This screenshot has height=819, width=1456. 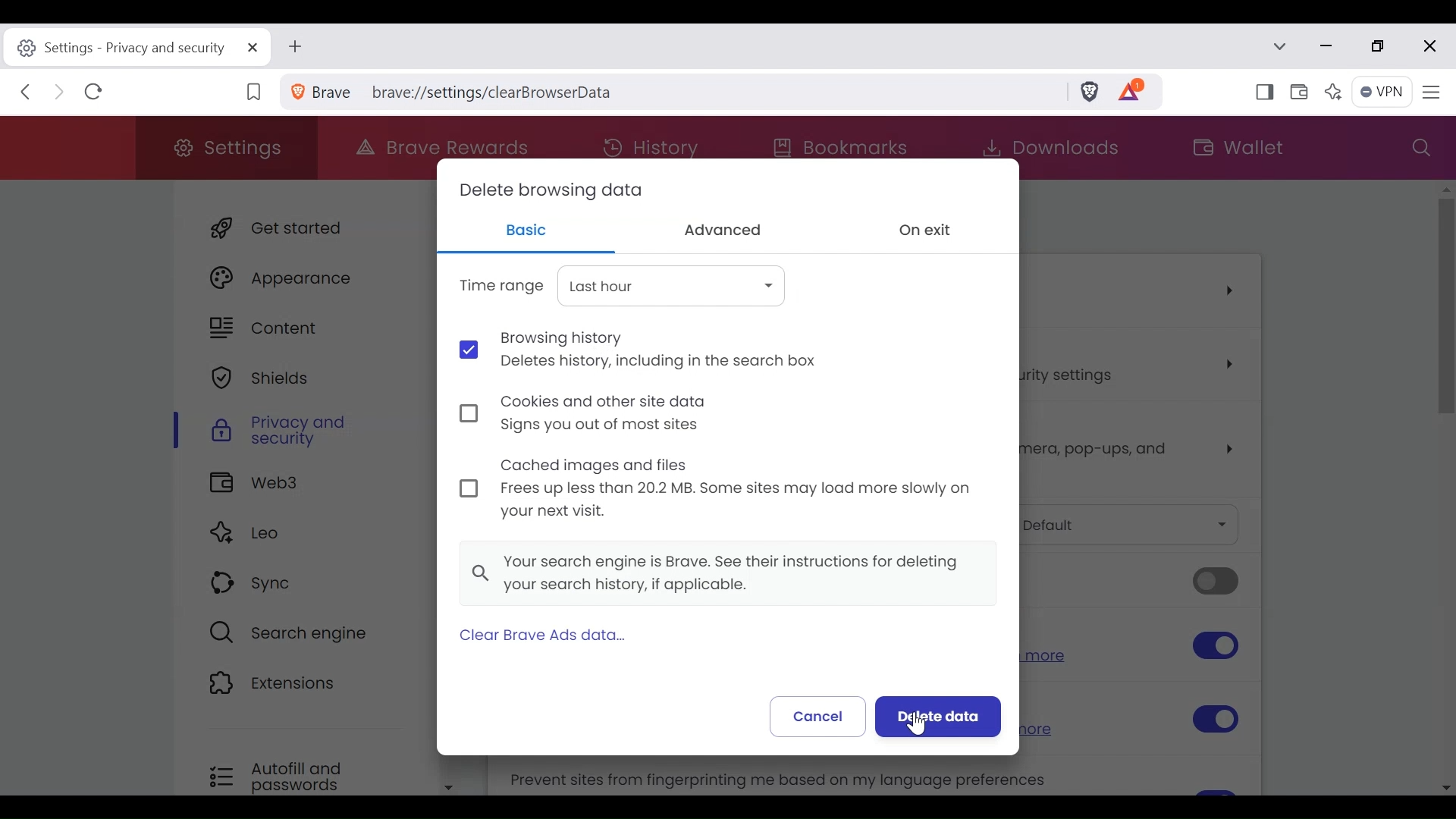 What do you see at coordinates (627, 286) in the screenshot?
I see `Time Range` at bounding box center [627, 286].